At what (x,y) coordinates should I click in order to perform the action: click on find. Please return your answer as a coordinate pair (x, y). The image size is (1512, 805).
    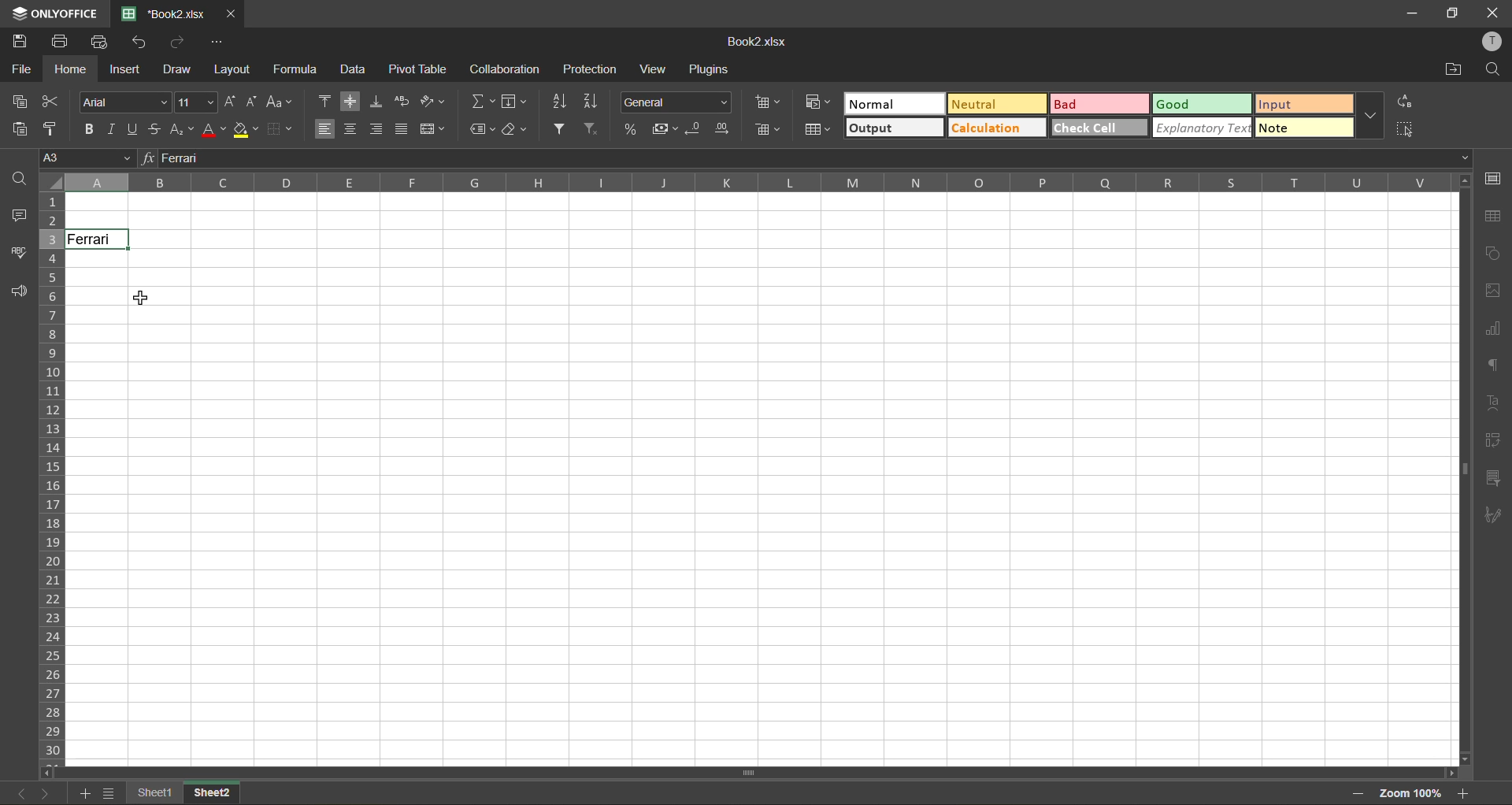
    Looking at the image, I should click on (18, 177).